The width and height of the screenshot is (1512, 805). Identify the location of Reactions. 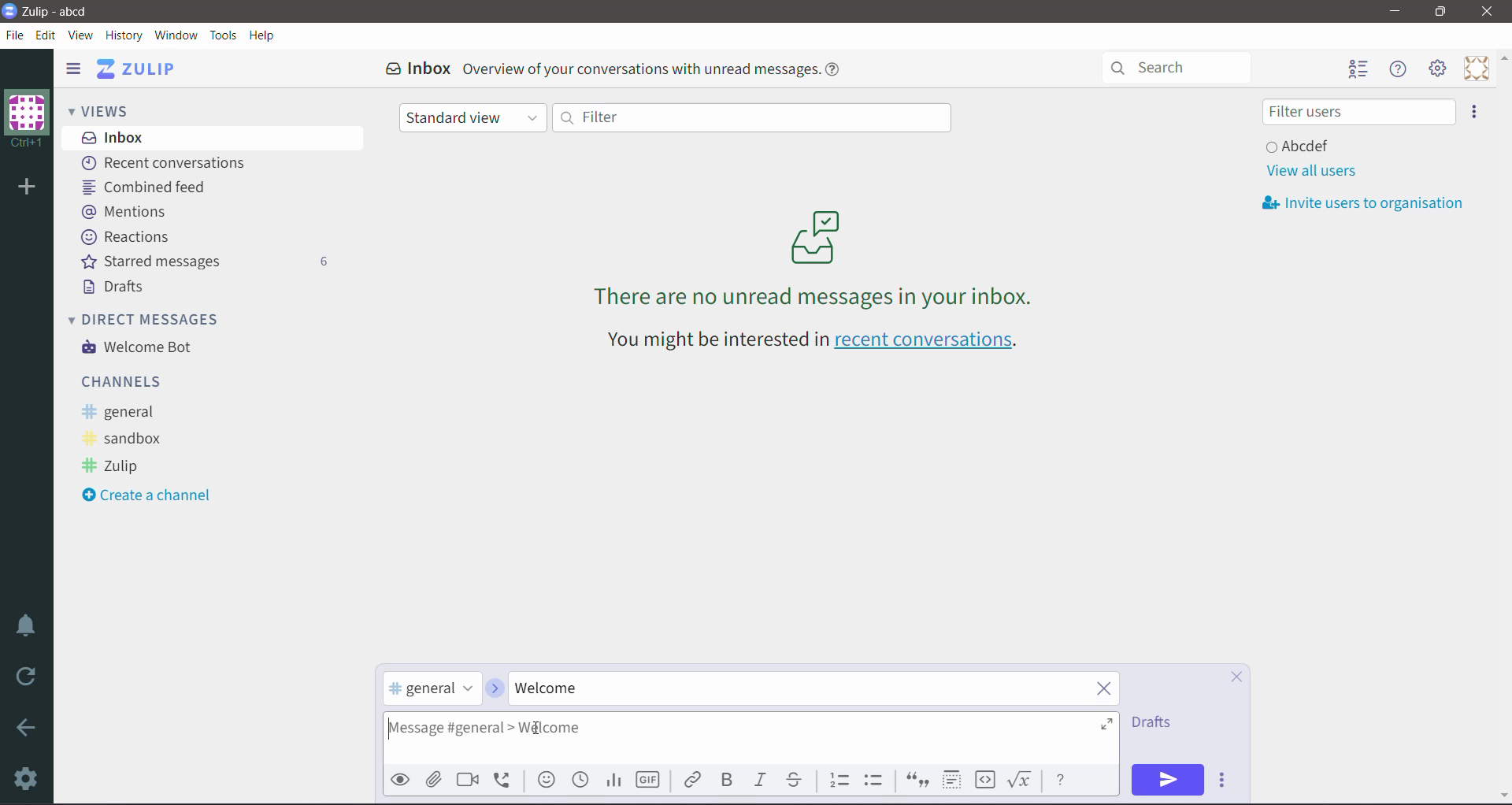
(128, 237).